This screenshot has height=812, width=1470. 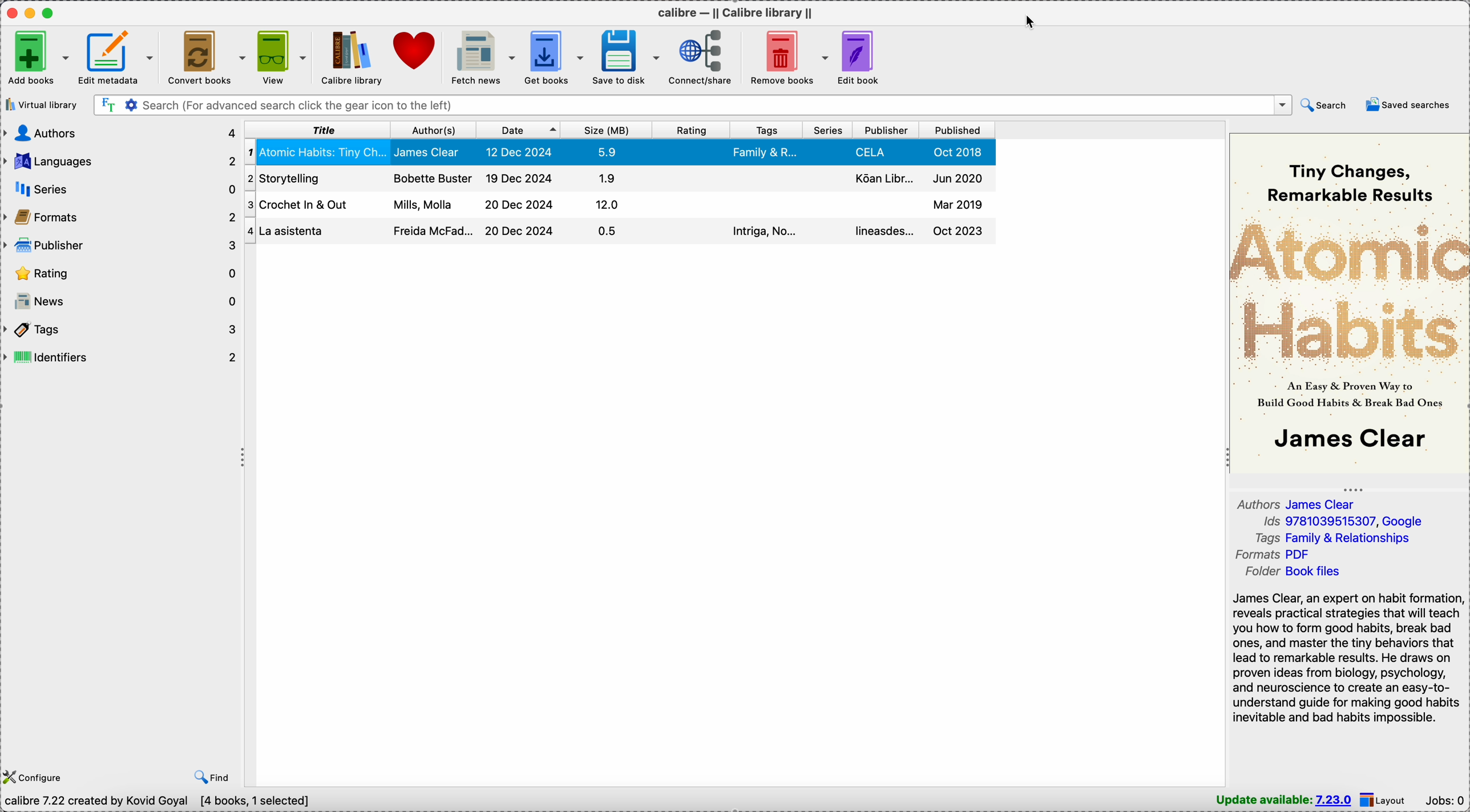 I want to click on fetch news, so click(x=483, y=58).